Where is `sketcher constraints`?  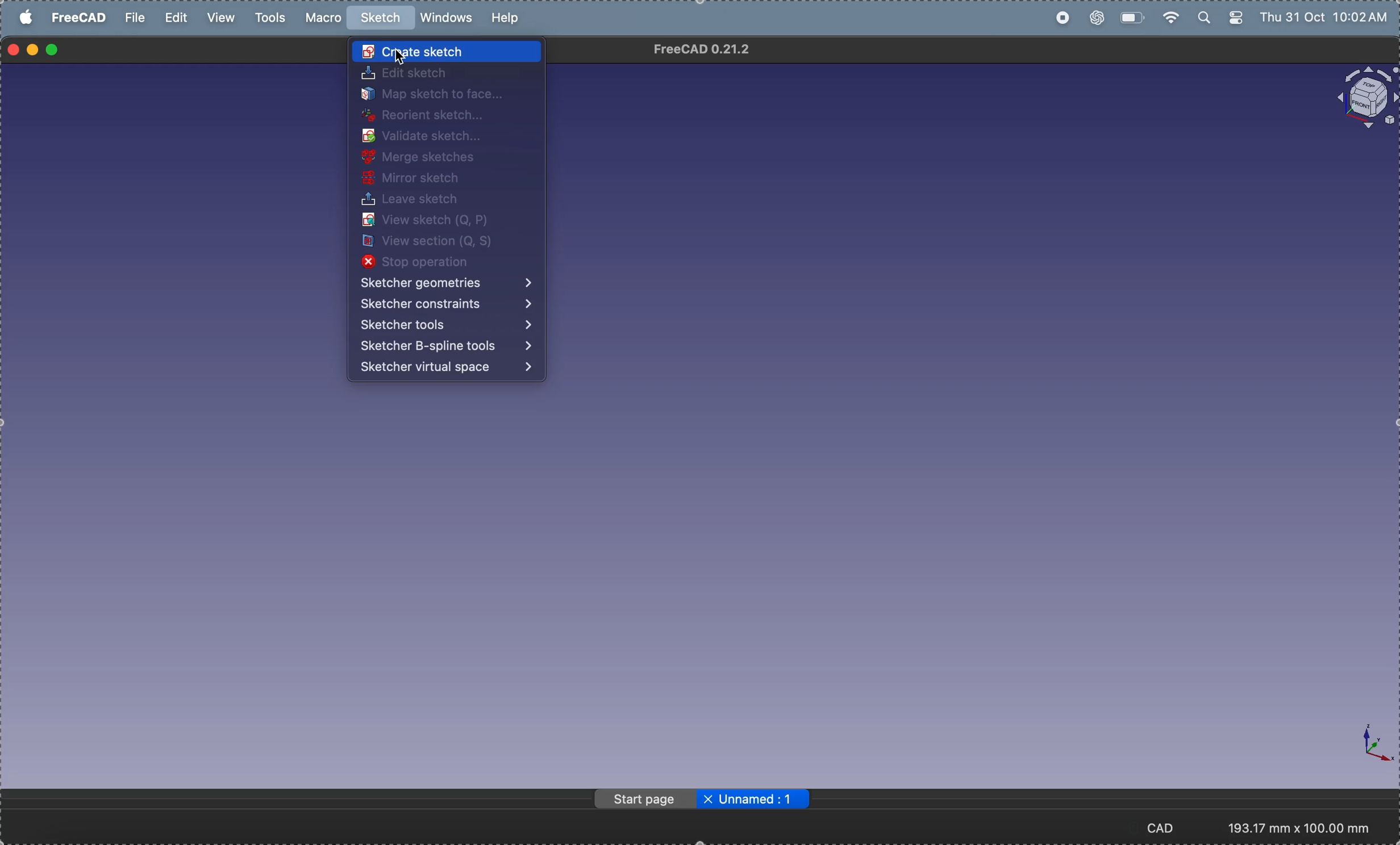 sketcher constraints is located at coordinates (447, 302).